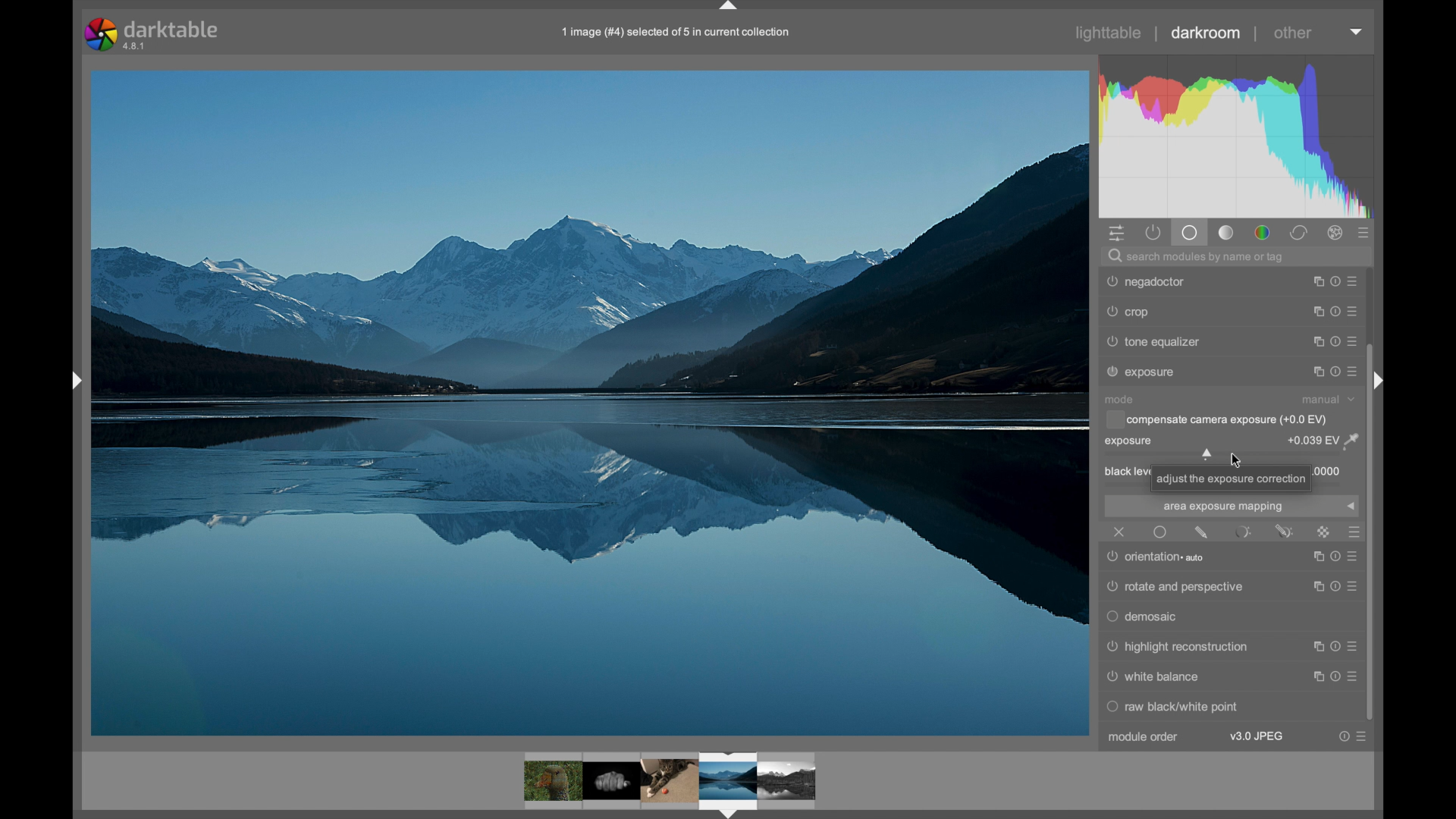  I want to click on presets, so click(1364, 234).